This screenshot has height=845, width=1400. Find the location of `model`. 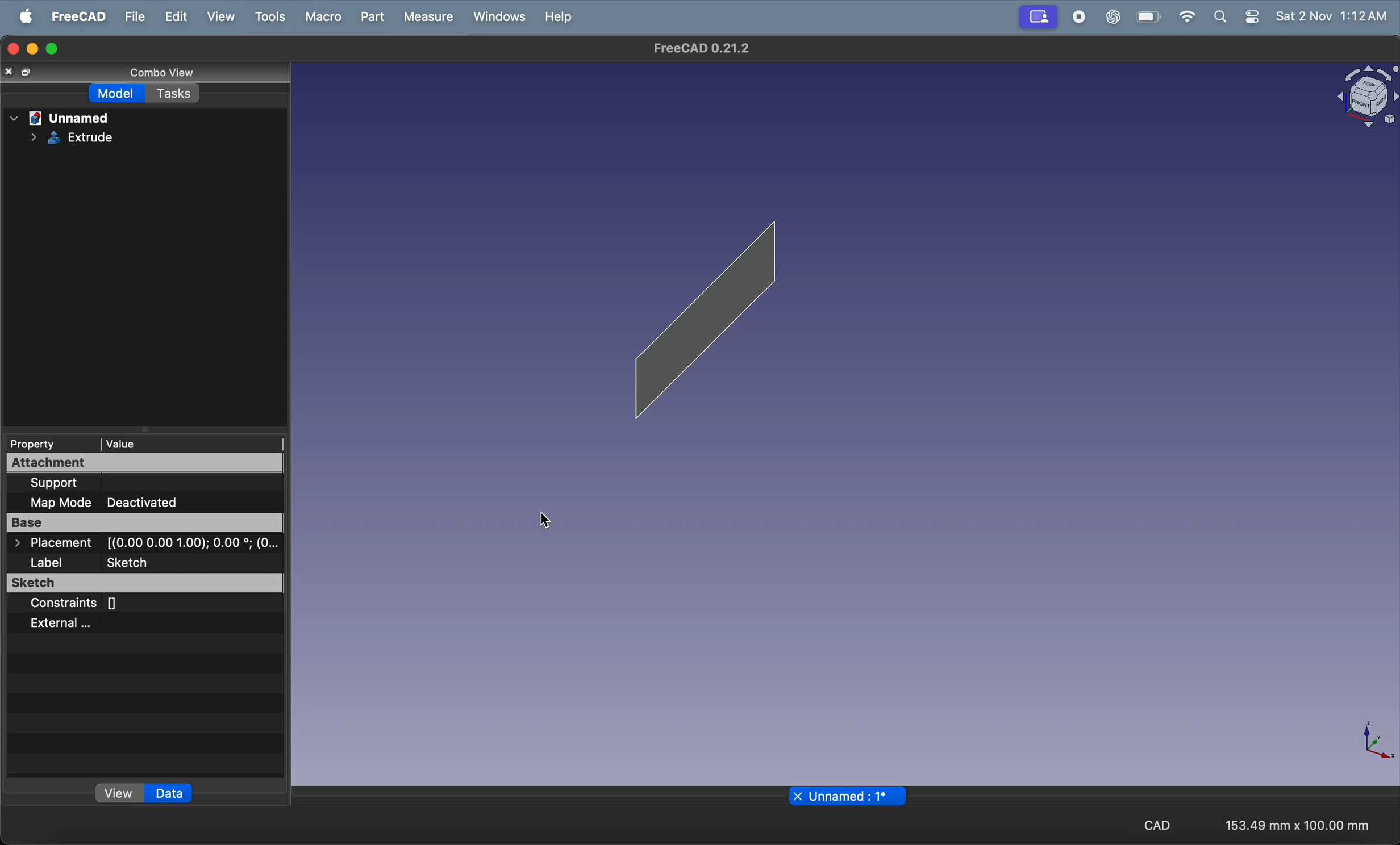

model is located at coordinates (118, 93).